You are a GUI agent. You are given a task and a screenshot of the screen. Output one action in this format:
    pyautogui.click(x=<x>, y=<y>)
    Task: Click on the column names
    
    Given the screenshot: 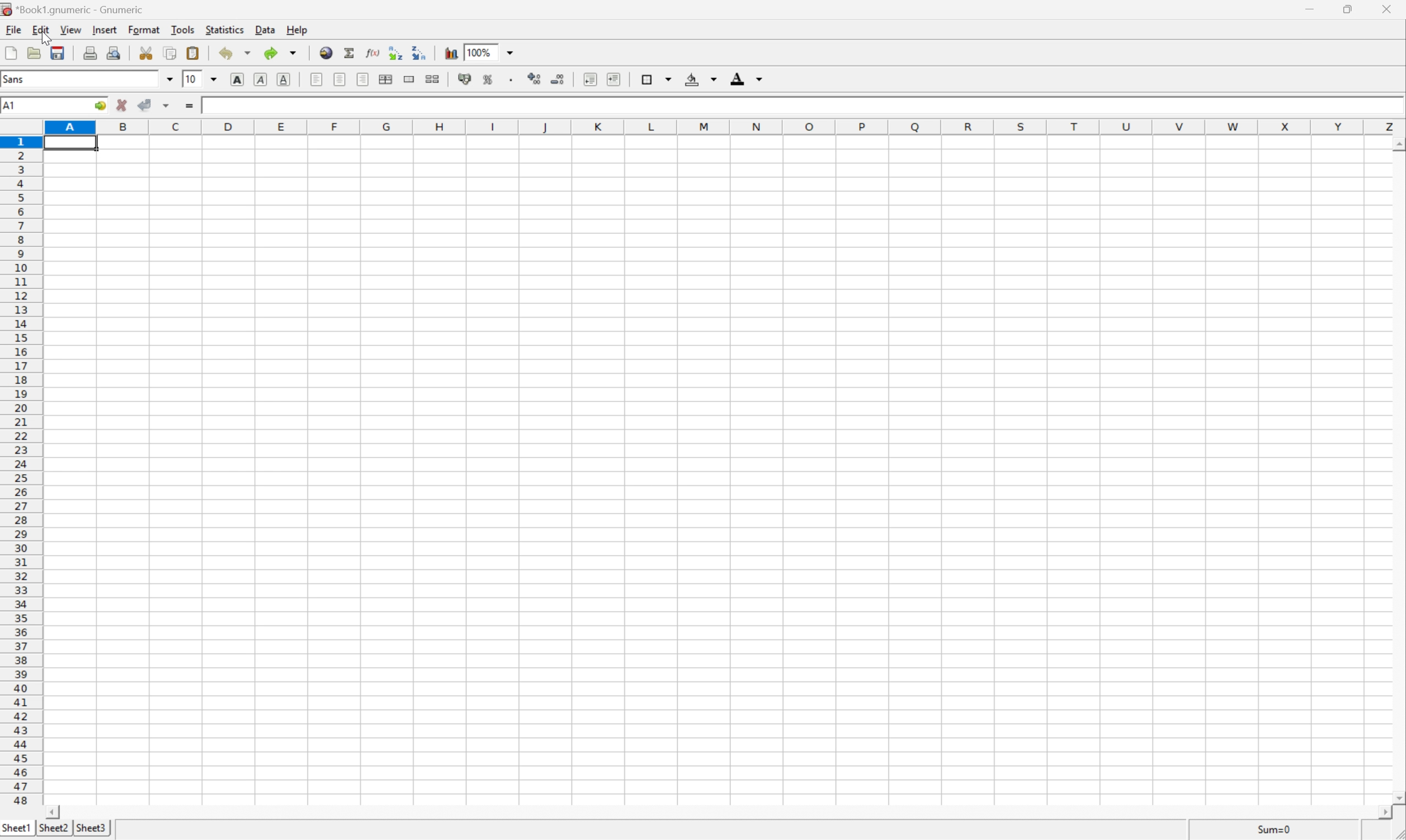 What is the action you would take?
    pyautogui.click(x=725, y=129)
    